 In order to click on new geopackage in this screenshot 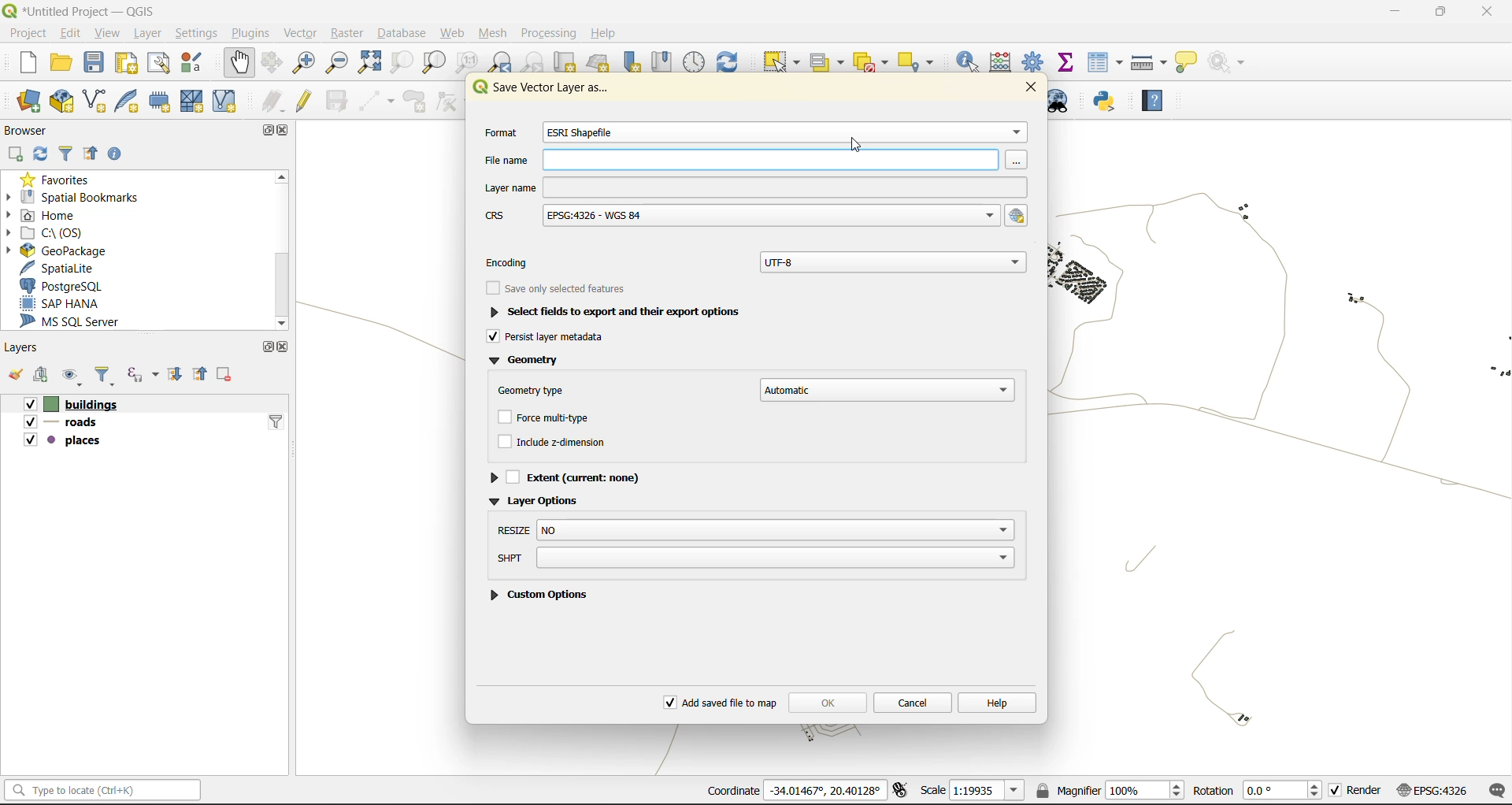, I will do `click(61, 102)`.